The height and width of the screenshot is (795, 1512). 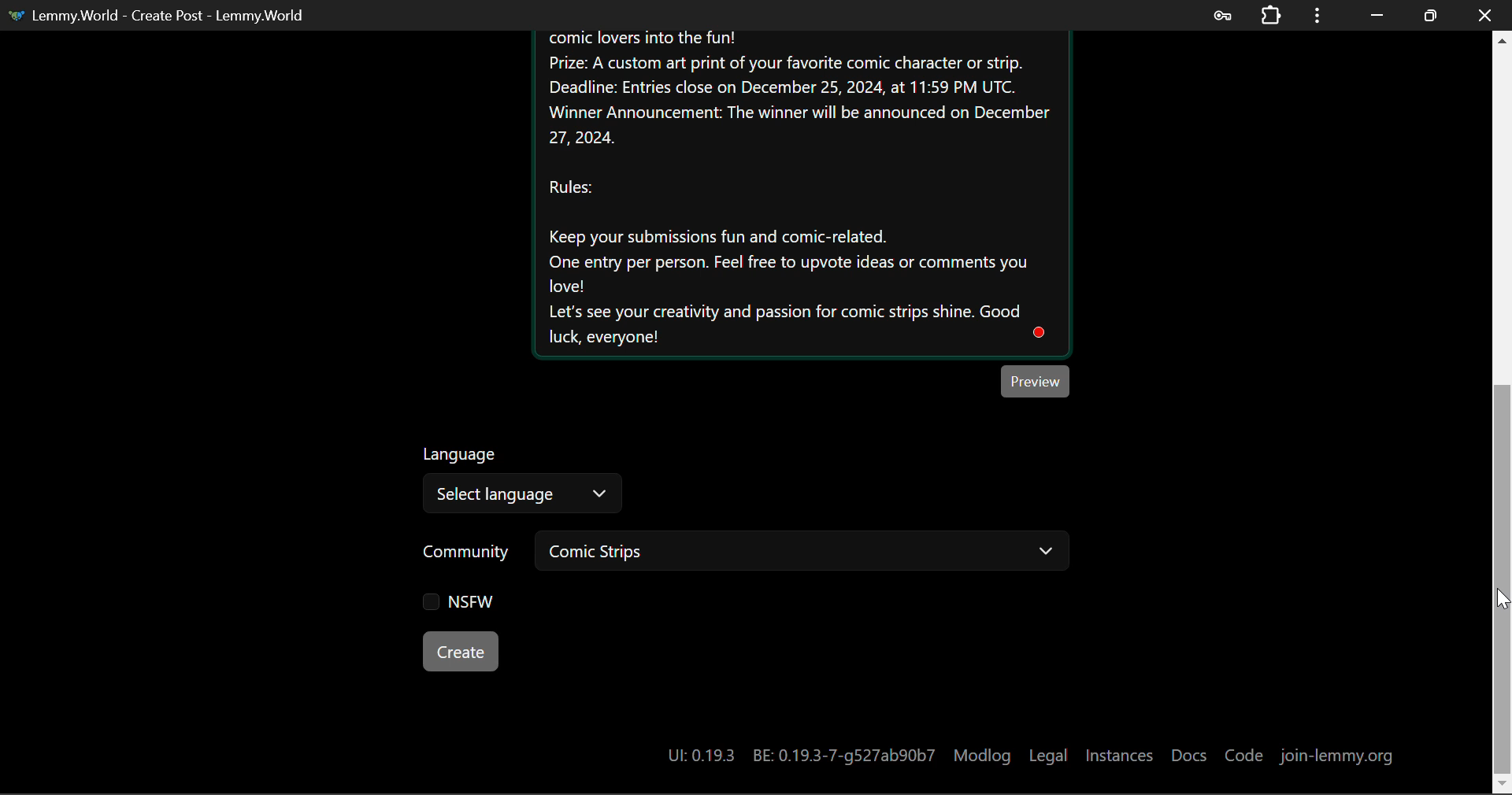 What do you see at coordinates (1047, 756) in the screenshot?
I see `Legal` at bounding box center [1047, 756].